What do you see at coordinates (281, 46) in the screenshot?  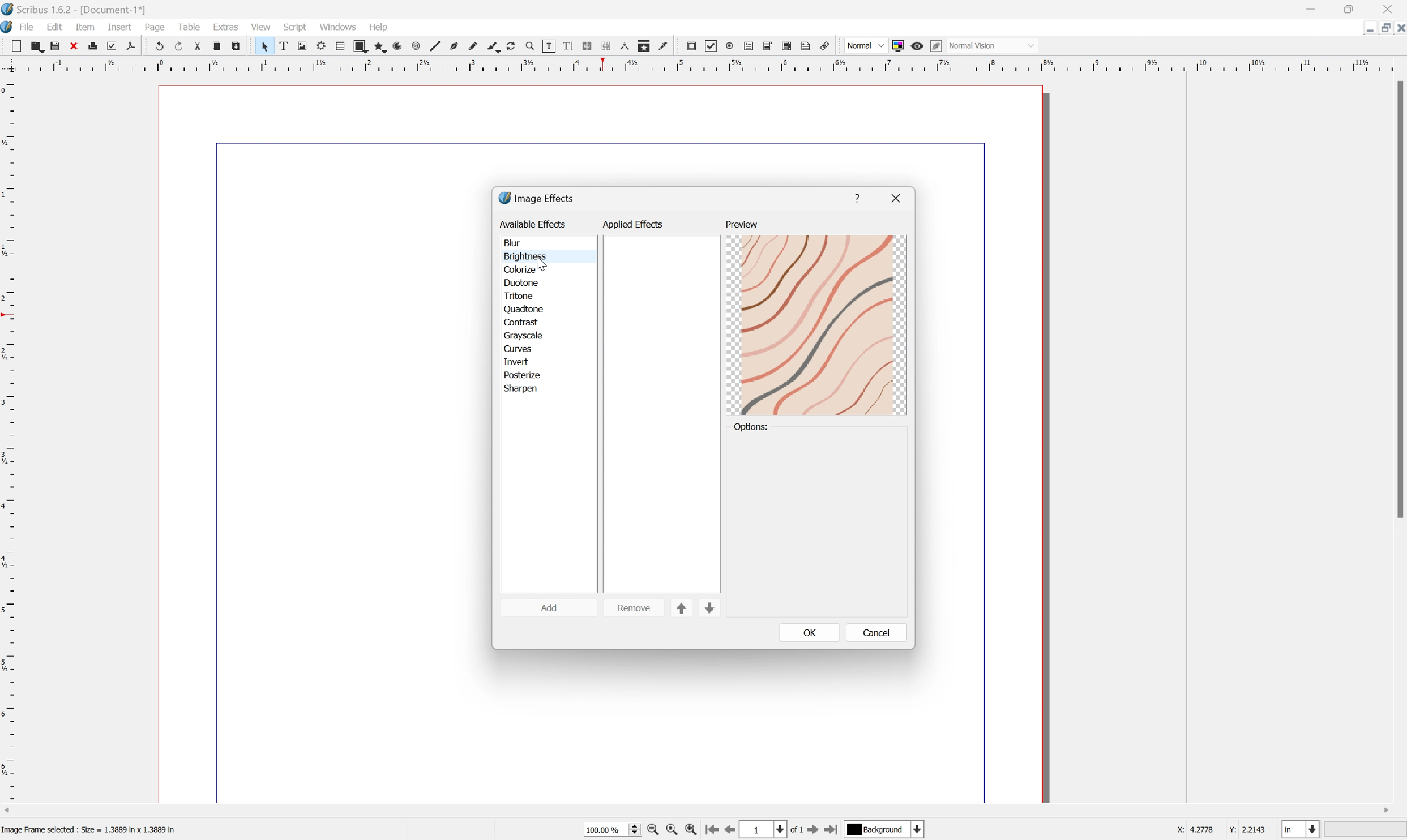 I see `Text frame` at bounding box center [281, 46].